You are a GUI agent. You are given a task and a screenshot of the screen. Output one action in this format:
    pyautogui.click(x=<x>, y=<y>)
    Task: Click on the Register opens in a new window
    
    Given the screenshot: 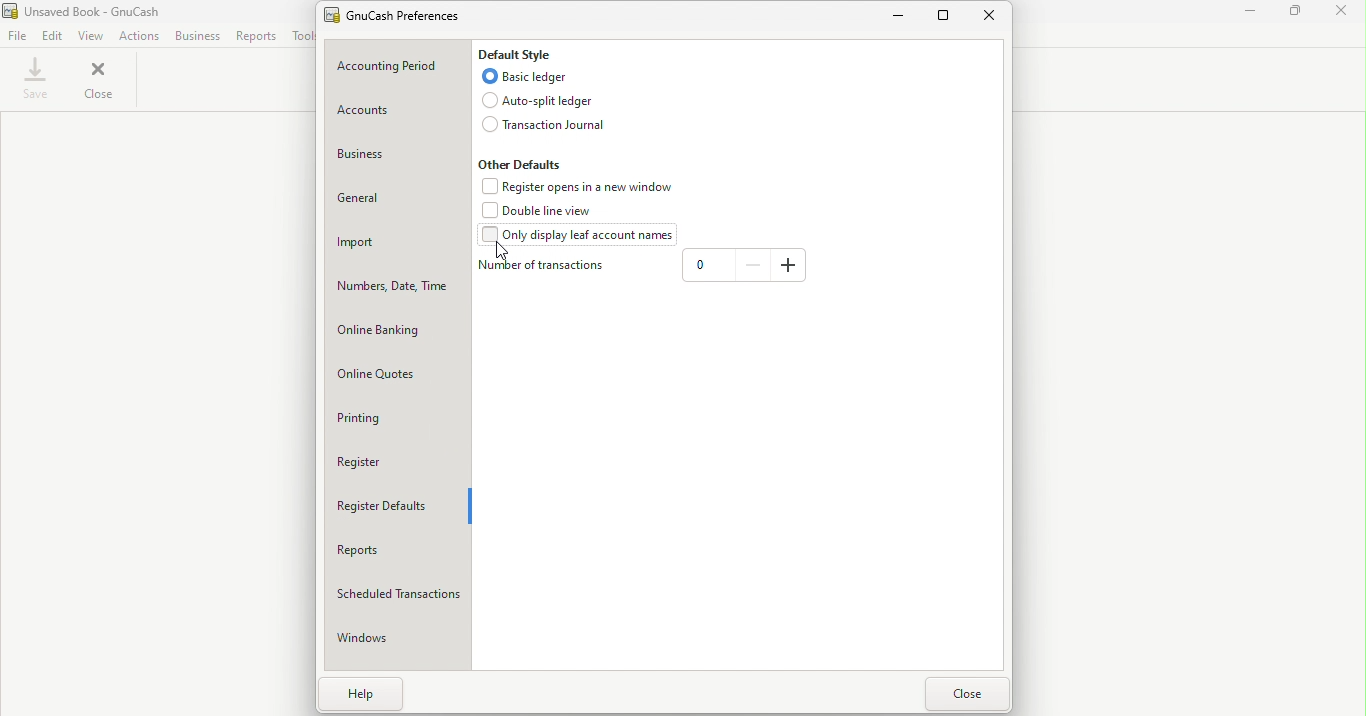 What is the action you would take?
    pyautogui.click(x=580, y=187)
    